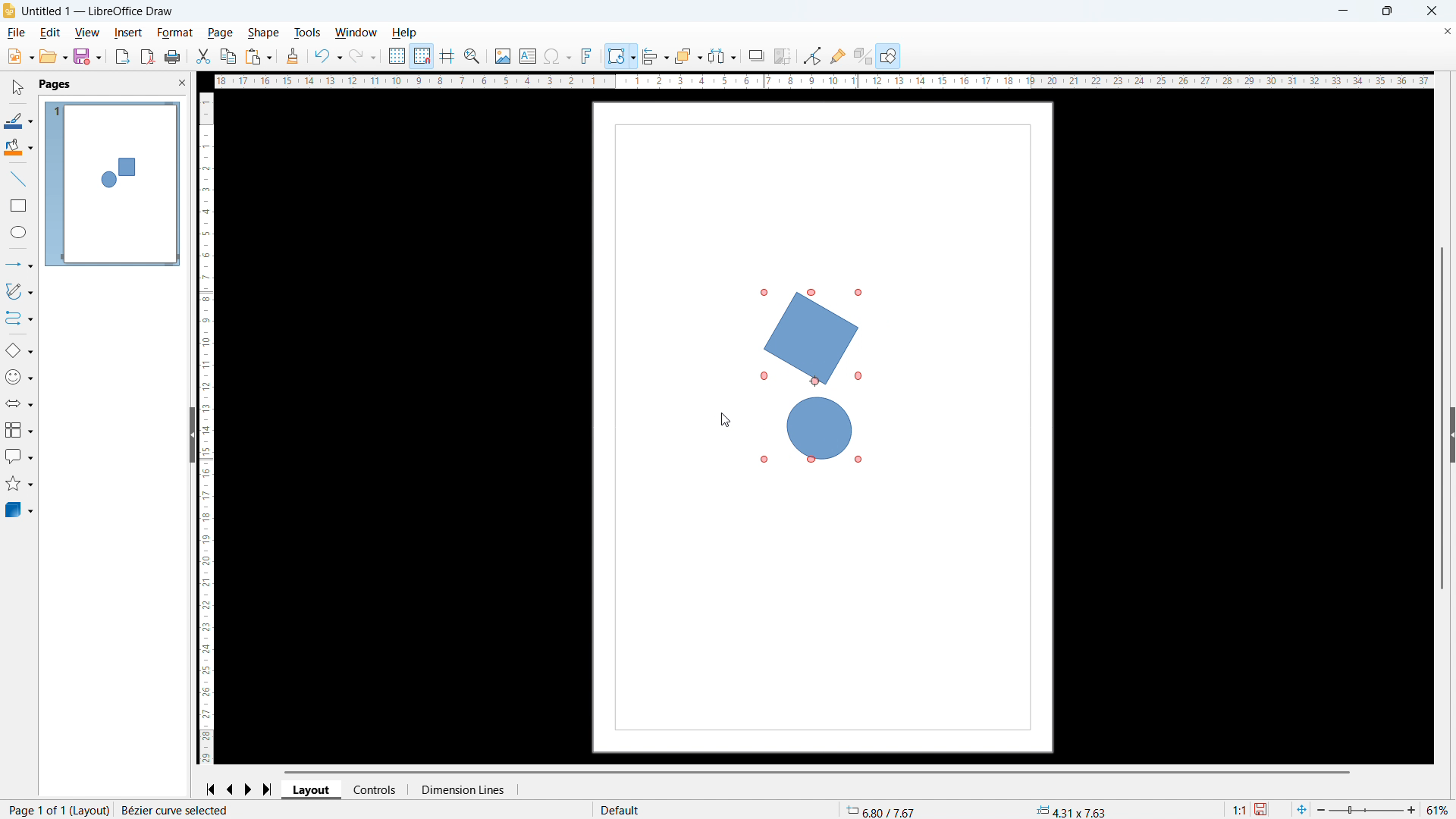  Describe the element at coordinates (448, 56) in the screenshot. I see `Guidelines while moving ` at that location.